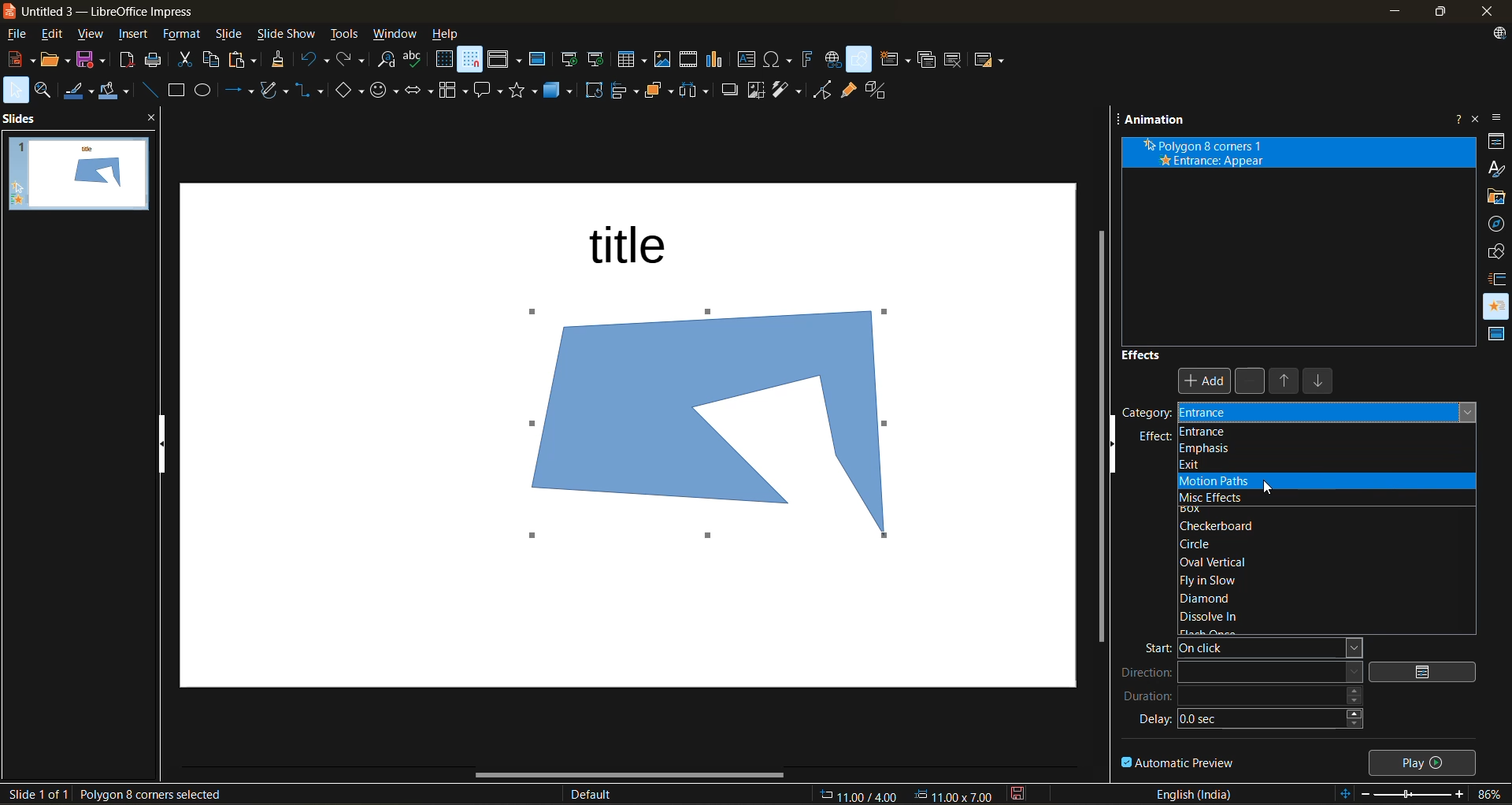 Image resolution: width=1512 pixels, height=805 pixels. I want to click on edit, so click(57, 35).